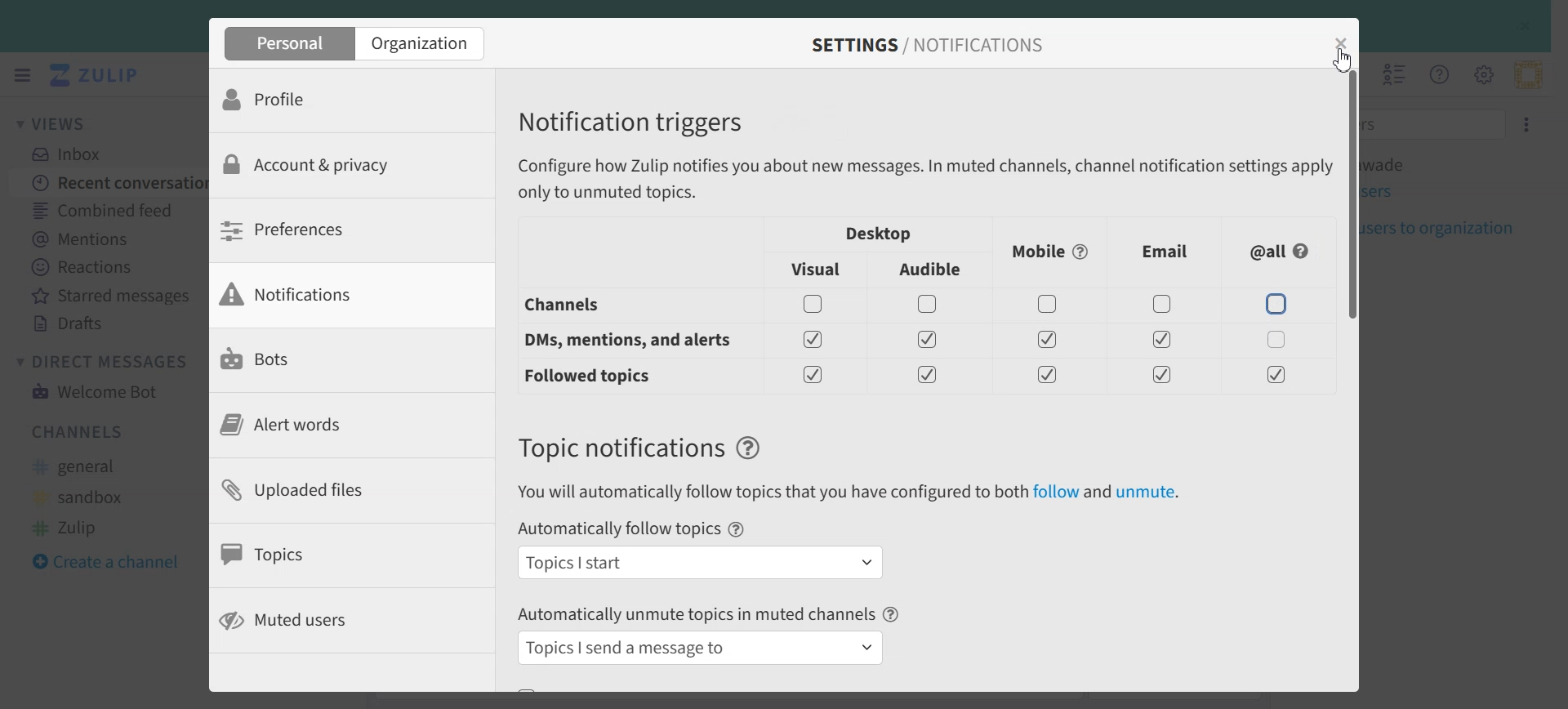 The width and height of the screenshot is (1568, 709). I want to click on Help, so click(749, 448).